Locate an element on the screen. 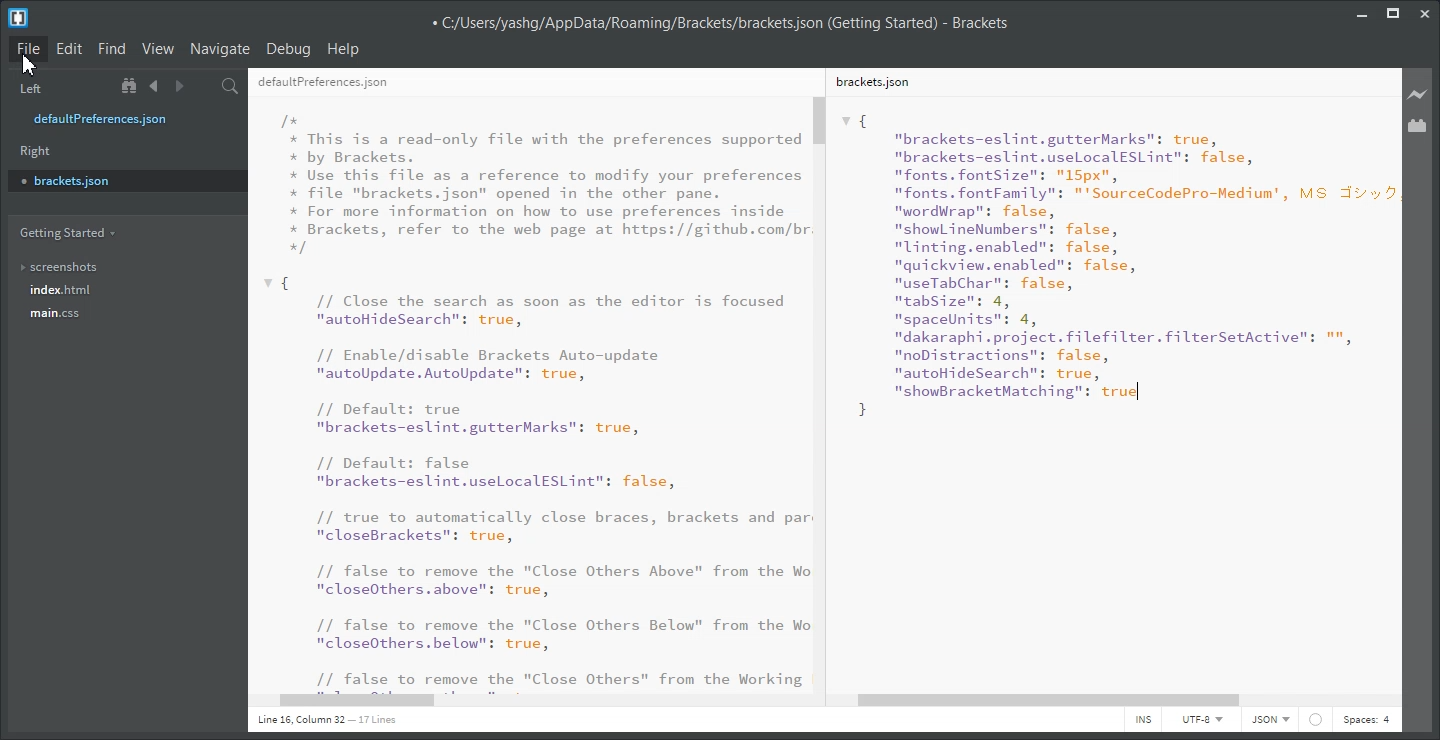  Find is located at coordinates (112, 49).